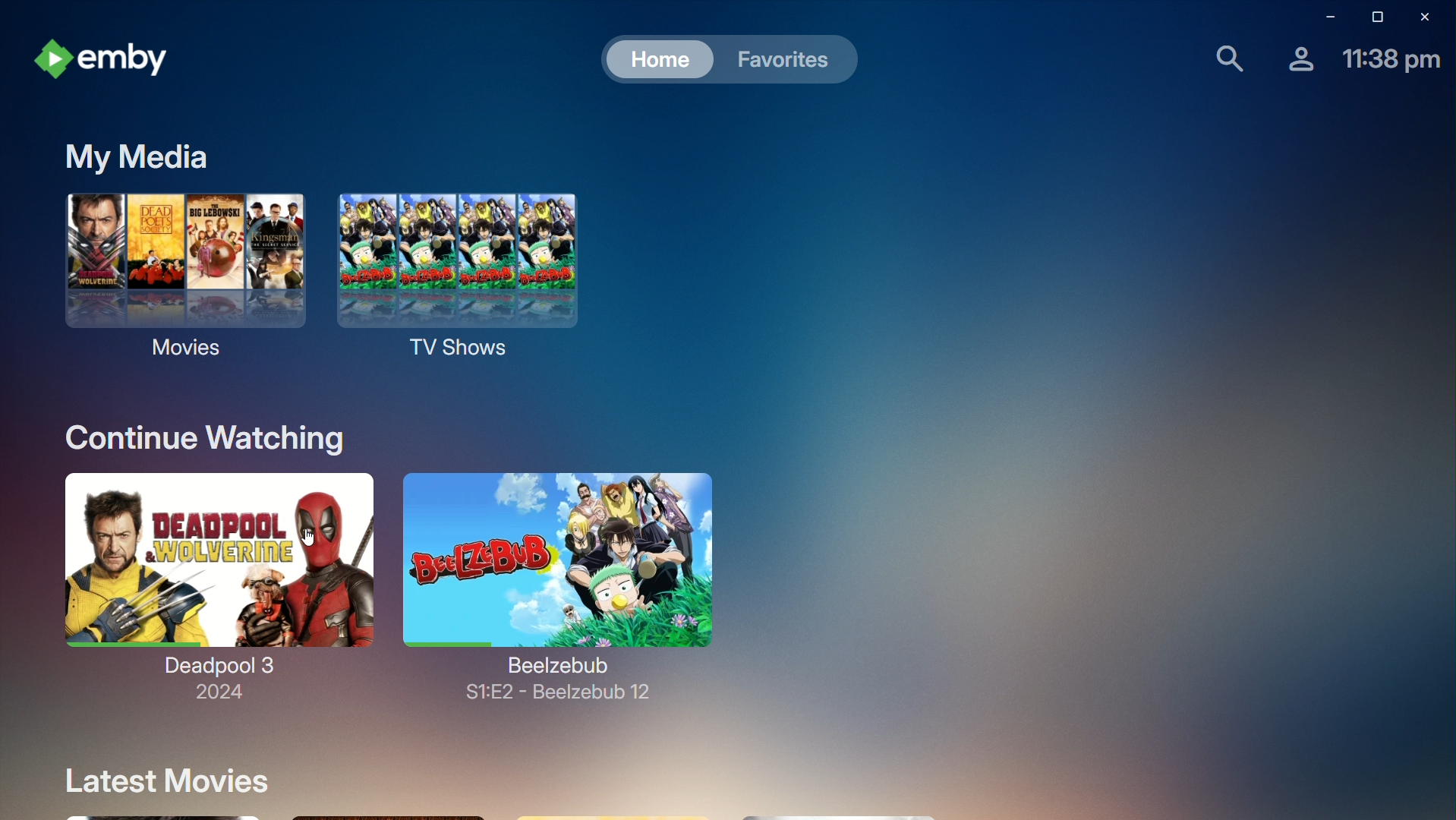  Describe the element at coordinates (1288, 61) in the screenshot. I see `Account` at that location.